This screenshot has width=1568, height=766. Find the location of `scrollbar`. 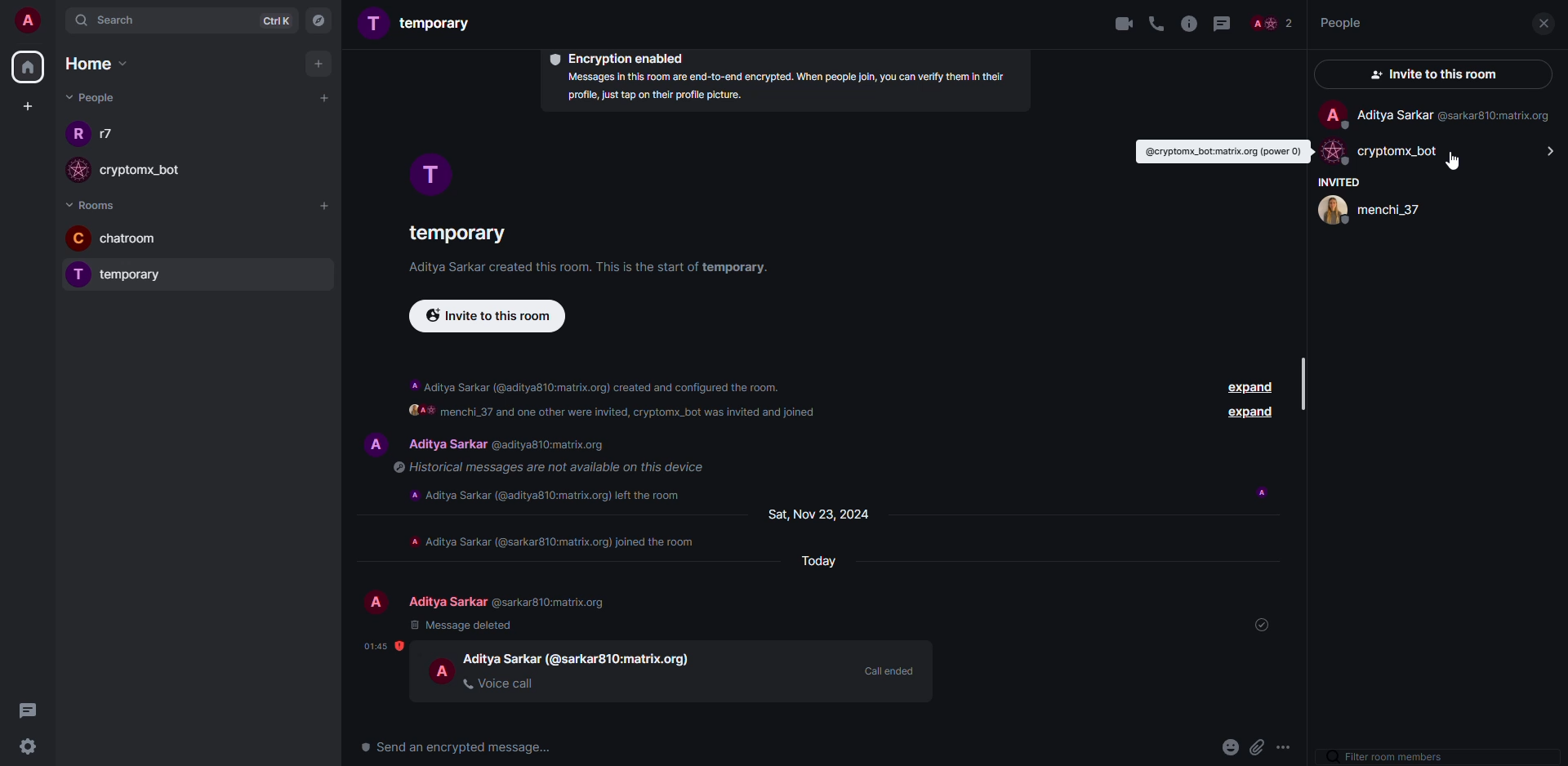

scrollbar is located at coordinates (1305, 381).